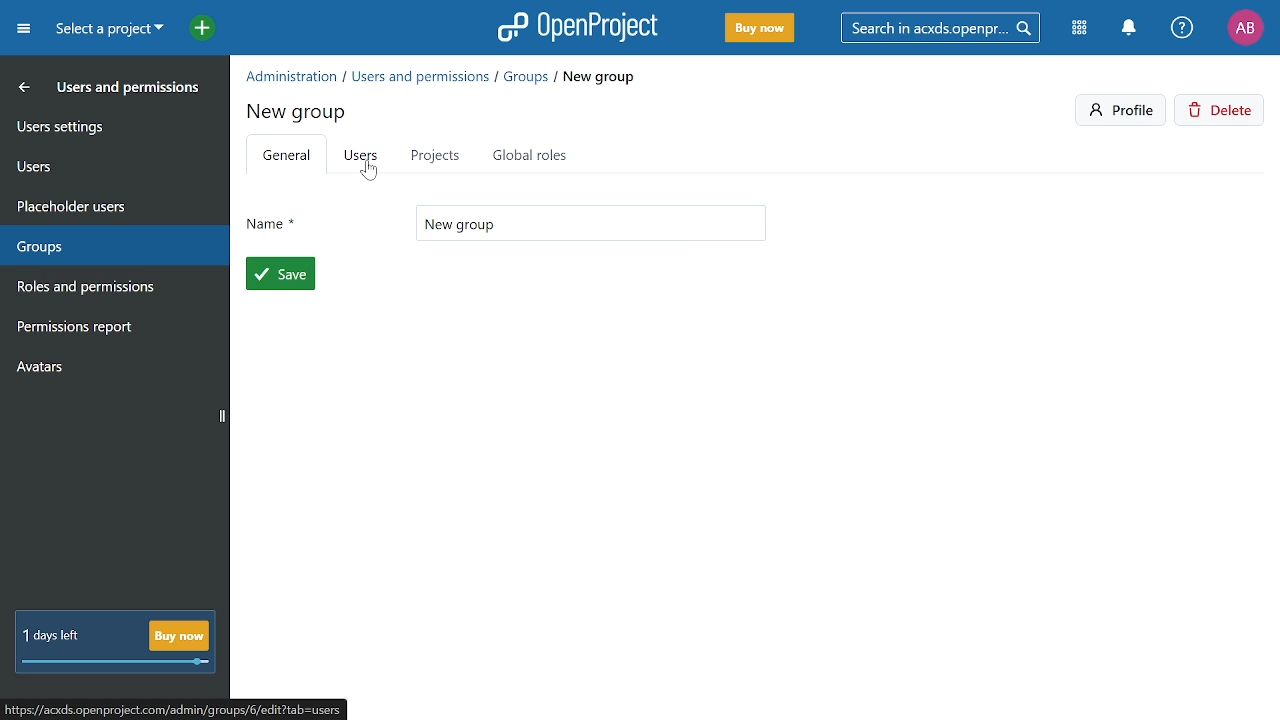 Image resolution: width=1280 pixels, height=720 pixels. I want to click on Help, so click(1183, 29).